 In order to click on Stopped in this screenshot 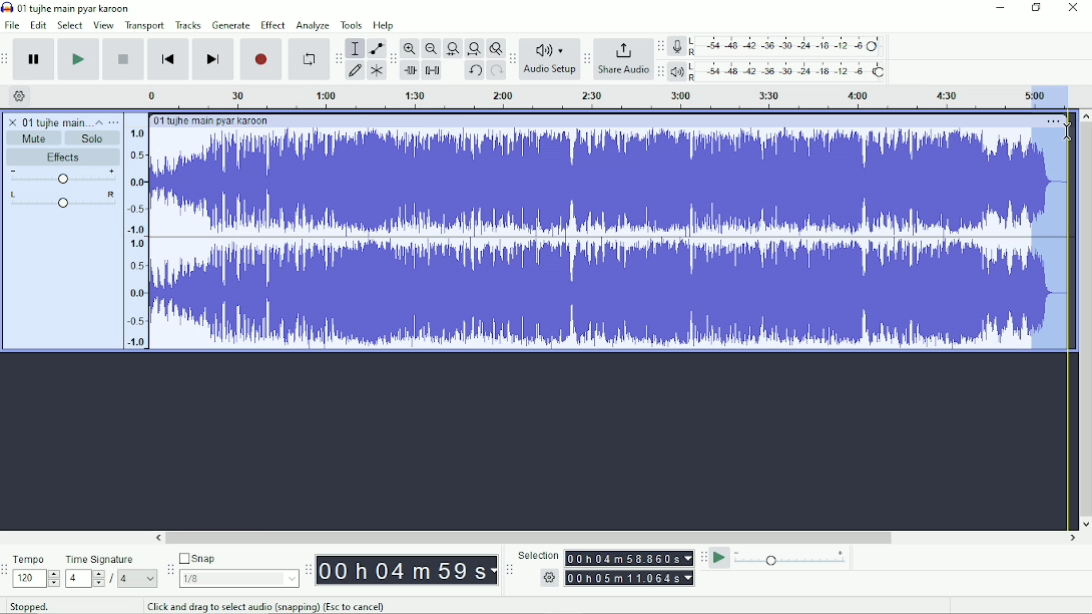, I will do `click(27, 607)`.